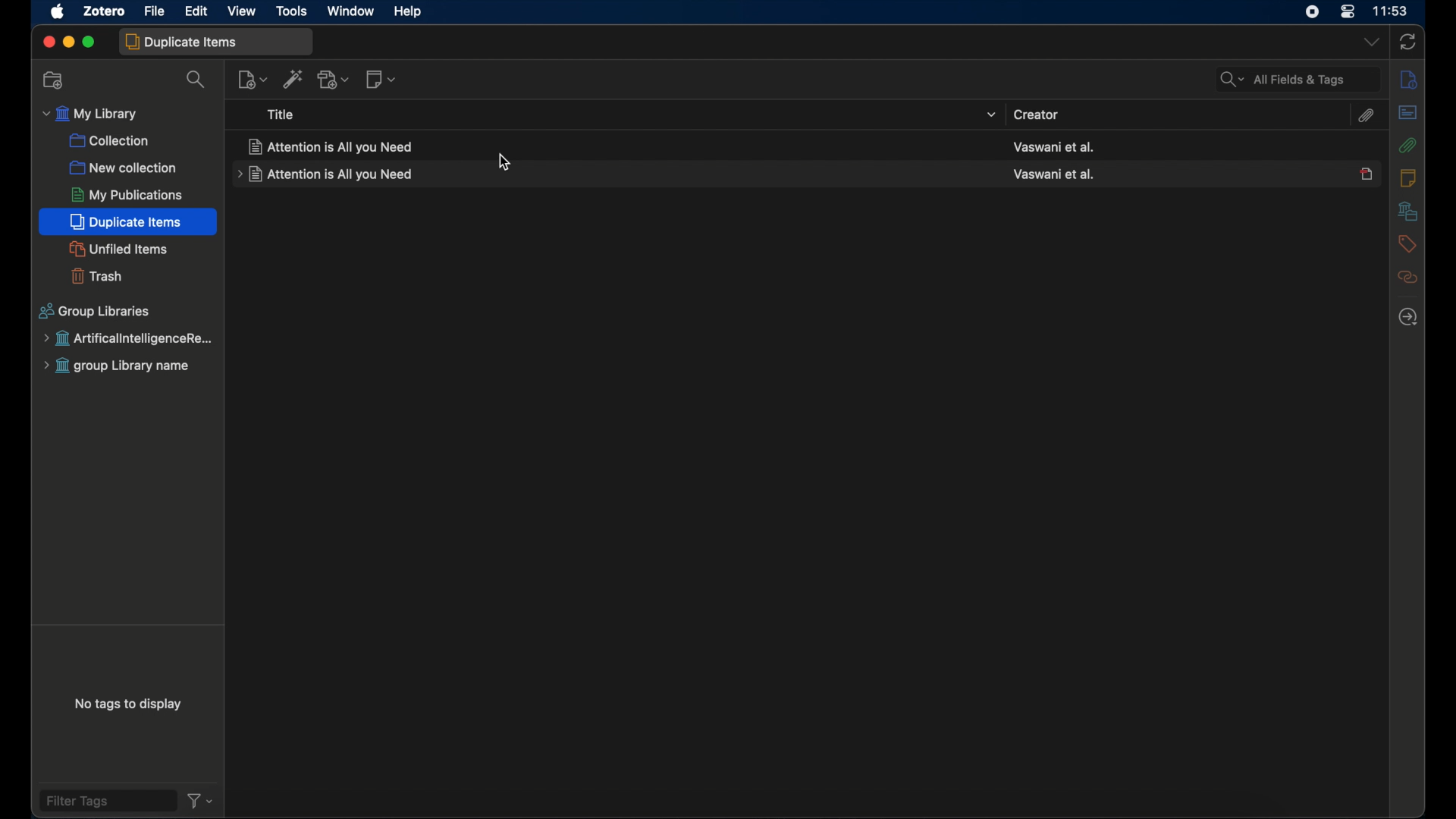  Describe the element at coordinates (90, 42) in the screenshot. I see `maximize` at that location.